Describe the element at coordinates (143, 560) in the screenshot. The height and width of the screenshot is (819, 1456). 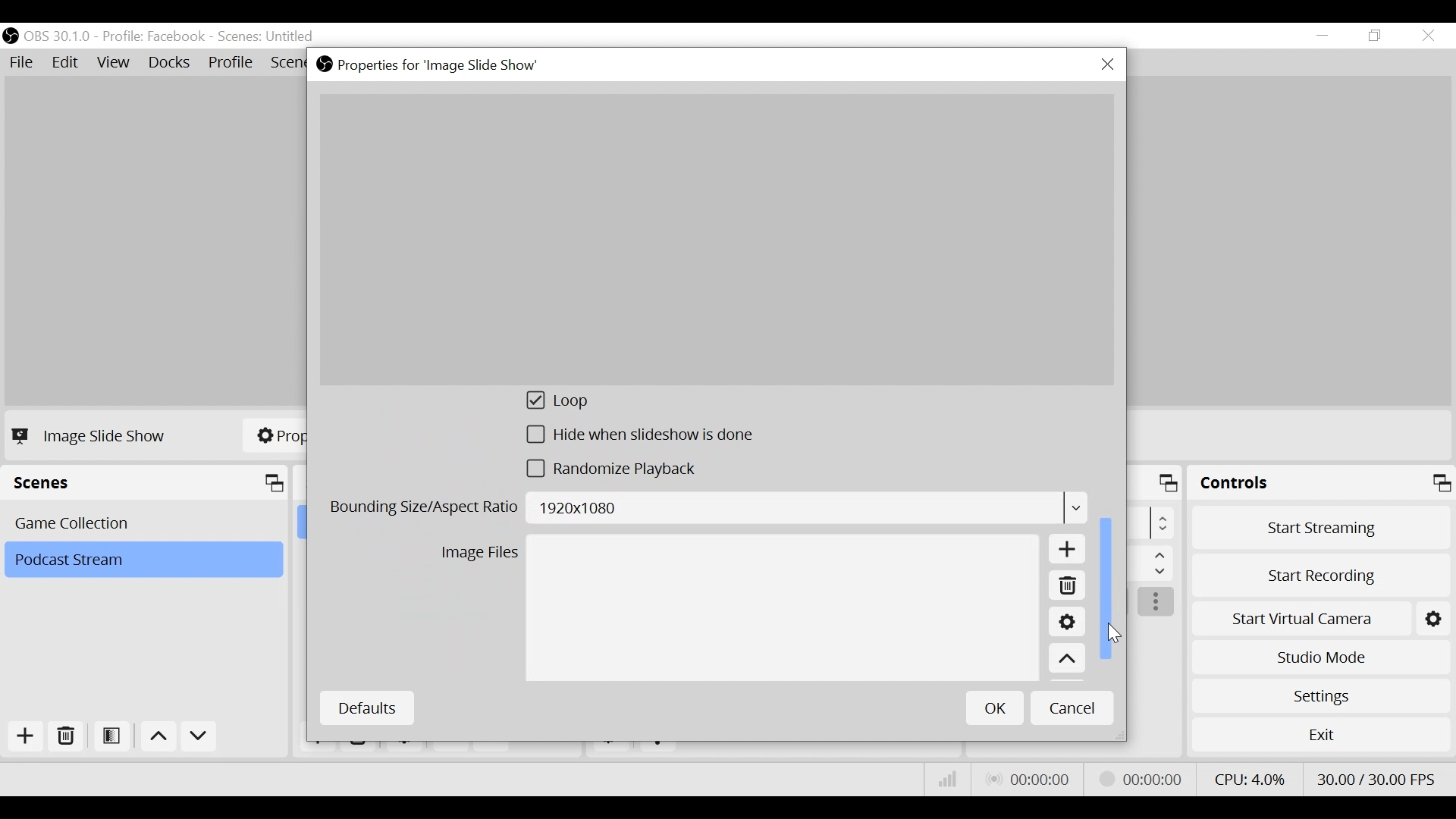
I see `Scene ` at that location.